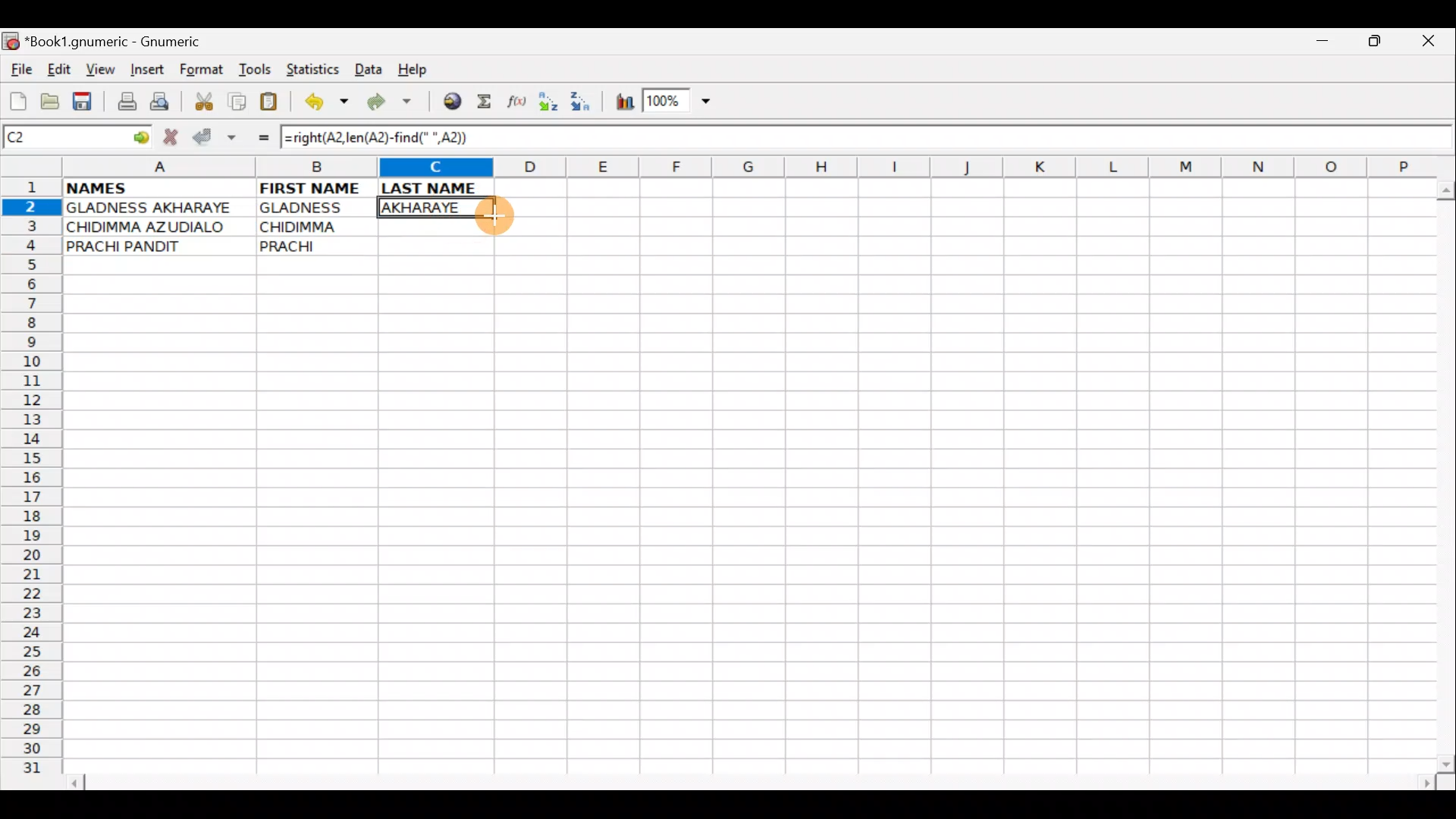 The image size is (1456, 819). I want to click on Data, so click(368, 68).